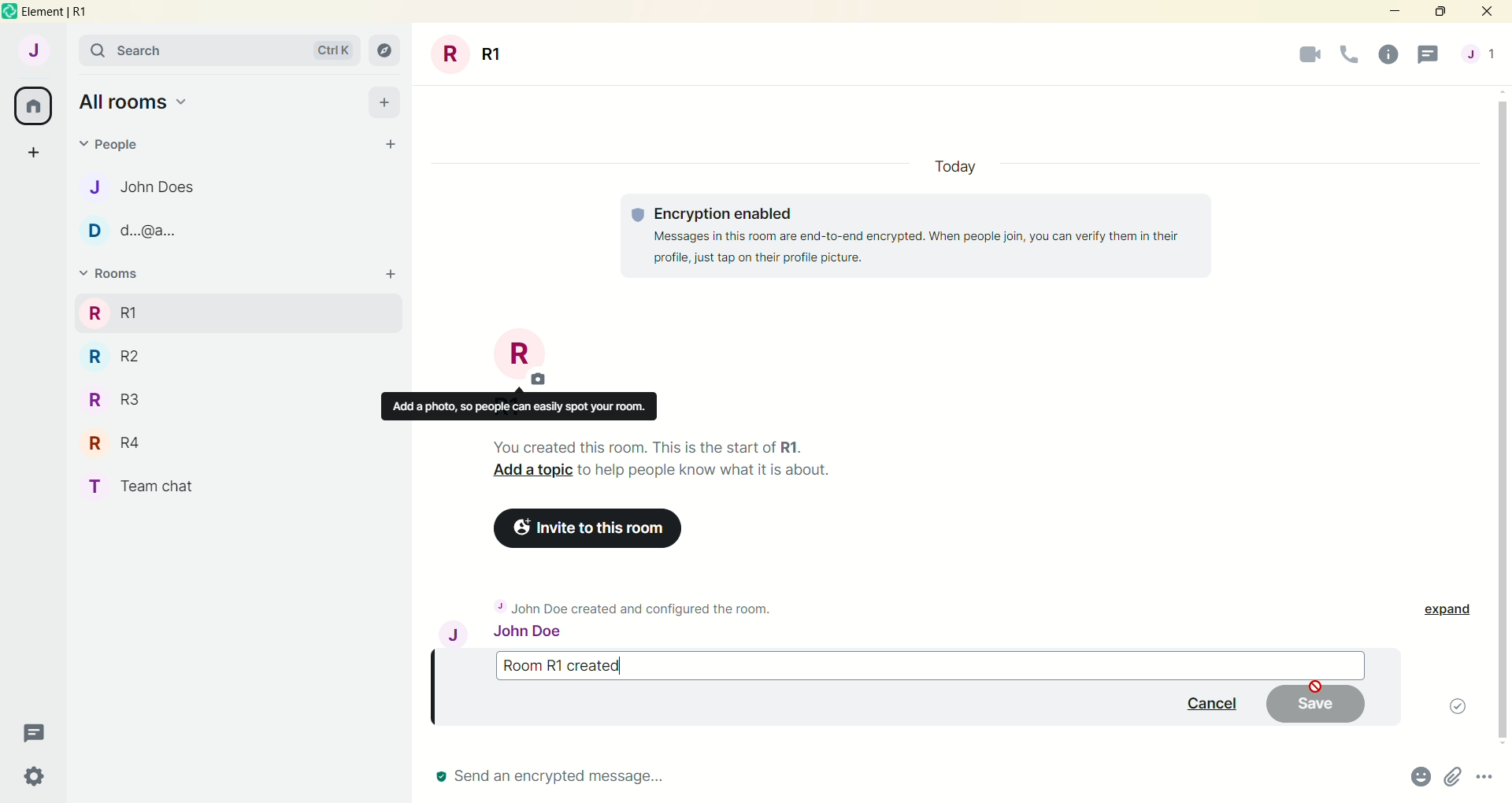 The height and width of the screenshot is (803, 1512). Describe the element at coordinates (113, 148) in the screenshot. I see `people` at that location.